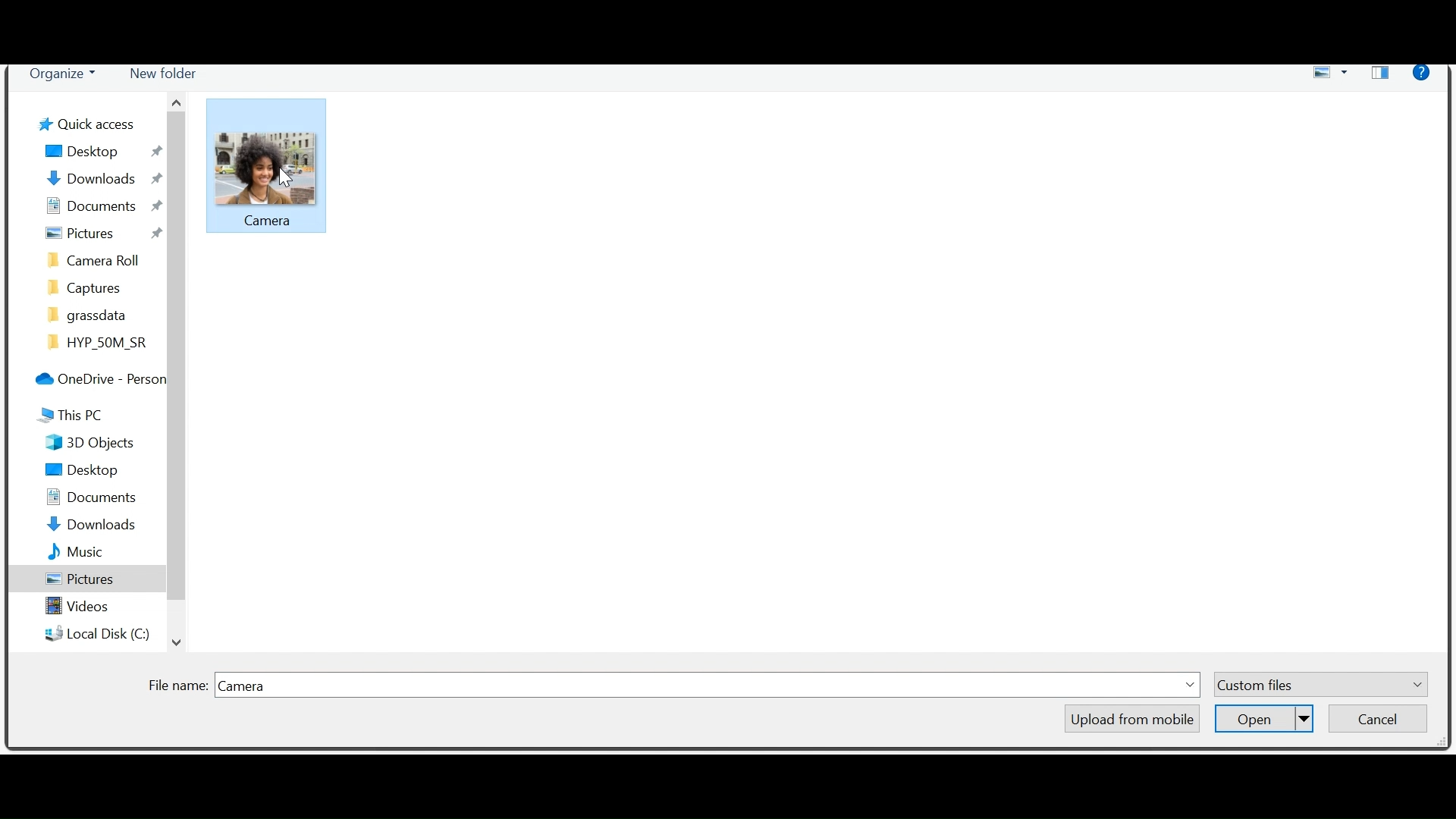 Image resolution: width=1456 pixels, height=819 pixels. Describe the element at coordinates (274, 164) in the screenshot. I see `Picture` at that location.